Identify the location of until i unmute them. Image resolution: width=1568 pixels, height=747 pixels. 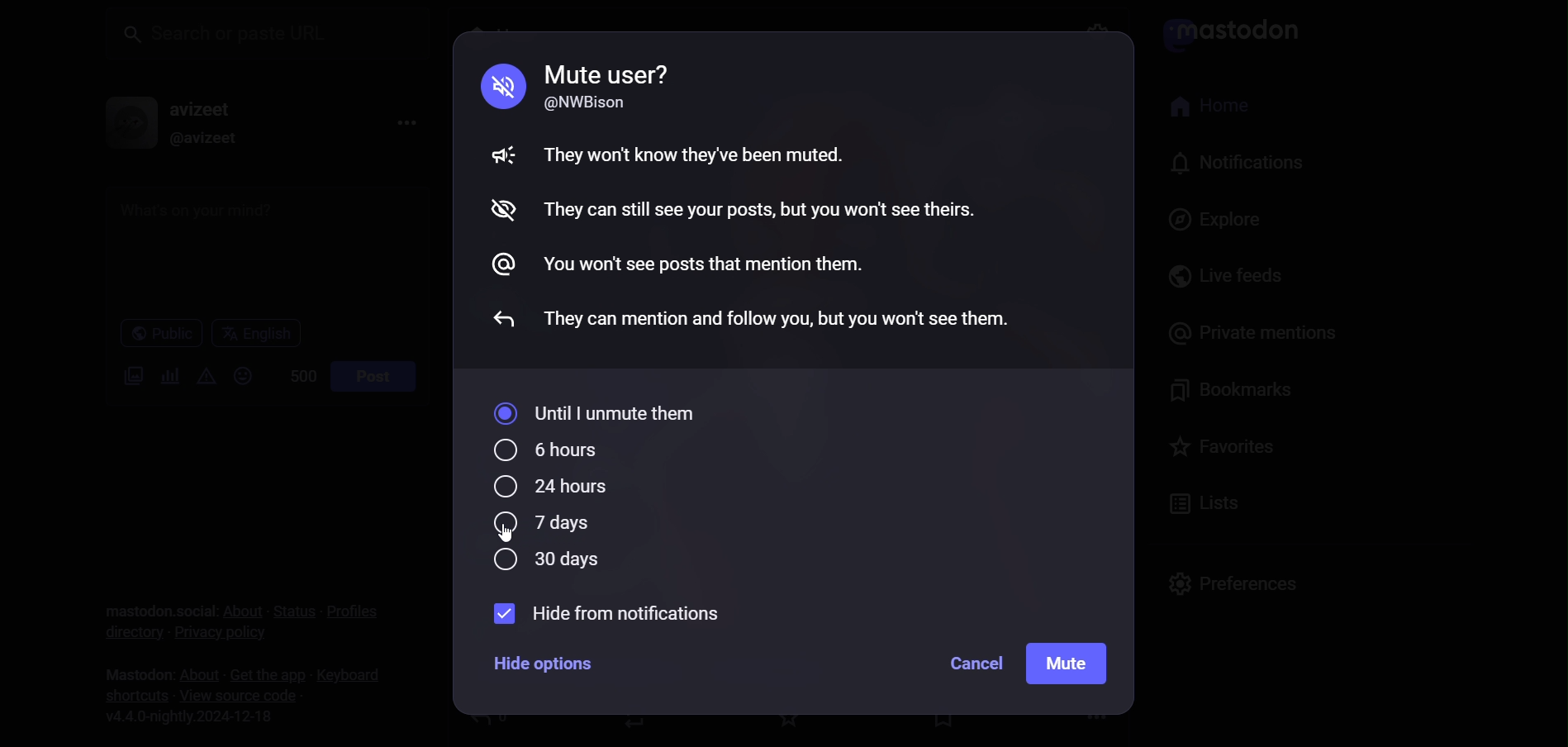
(606, 412).